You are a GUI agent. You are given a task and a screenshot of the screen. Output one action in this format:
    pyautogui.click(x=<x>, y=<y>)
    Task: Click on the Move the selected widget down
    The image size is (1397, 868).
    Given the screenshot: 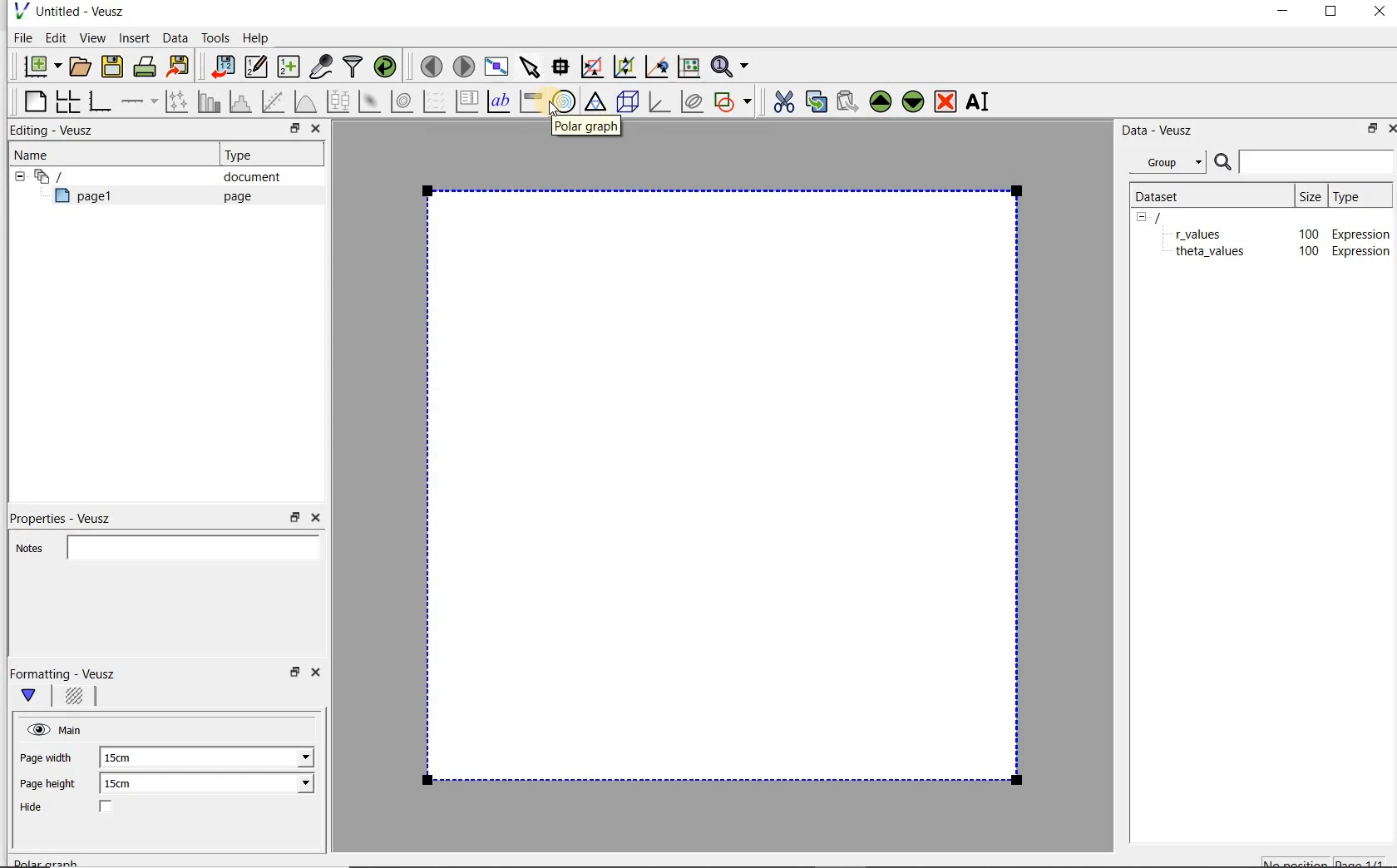 What is the action you would take?
    pyautogui.click(x=914, y=101)
    